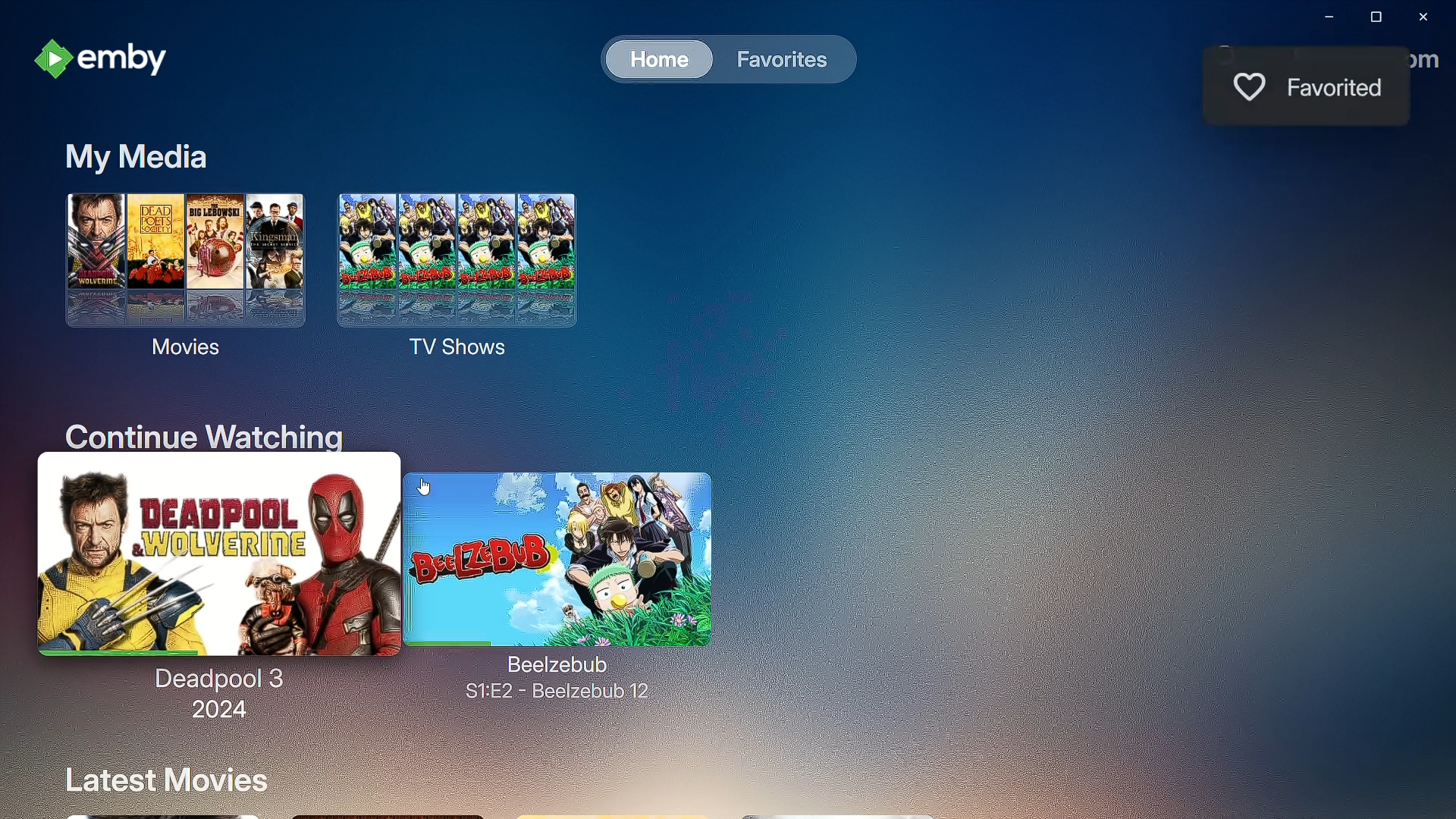 This screenshot has height=819, width=1456. Describe the element at coordinates (774, 58) in the screenshot. I see `Favorites` at that location.